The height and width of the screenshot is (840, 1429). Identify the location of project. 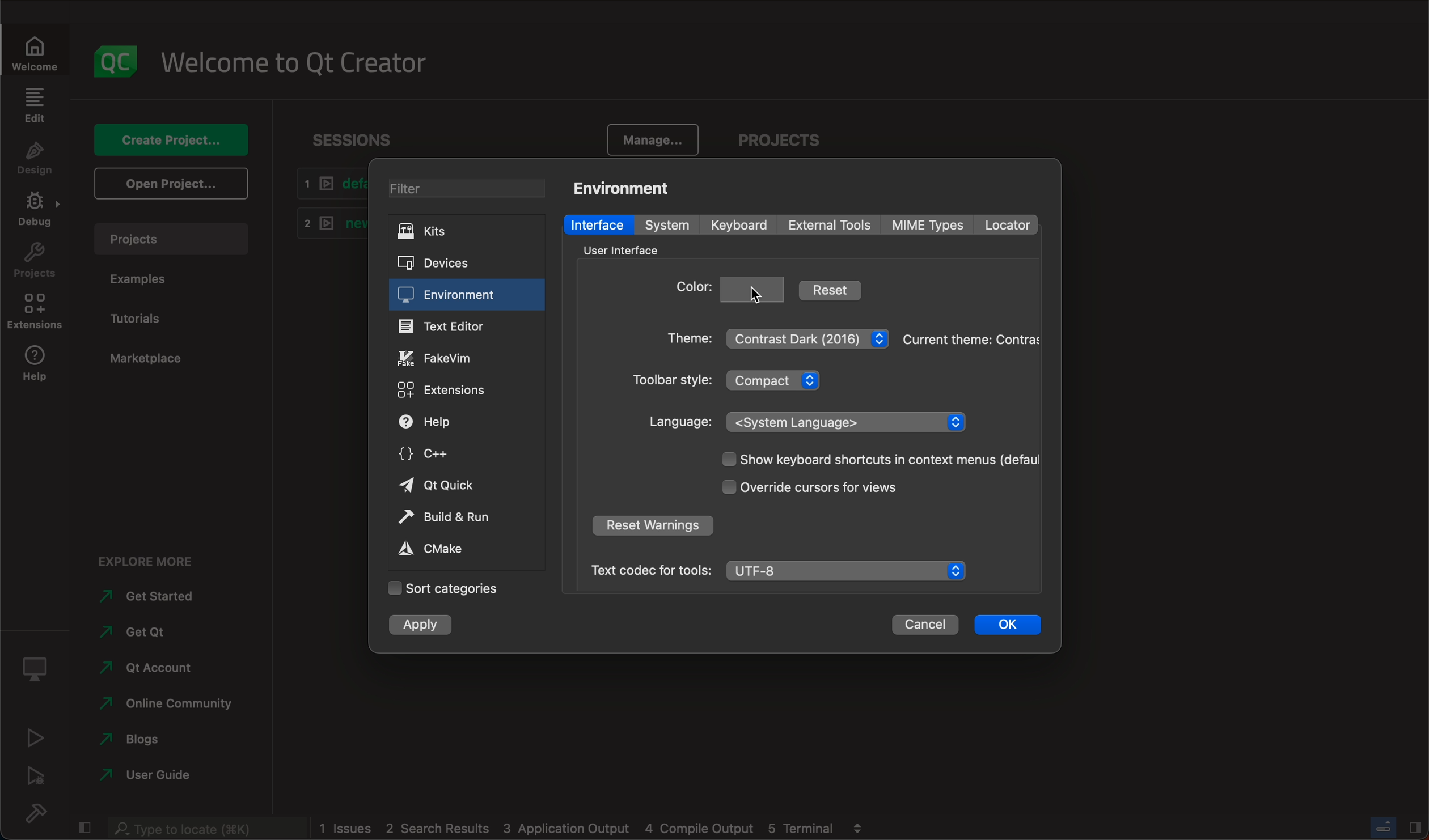
(36, 264).